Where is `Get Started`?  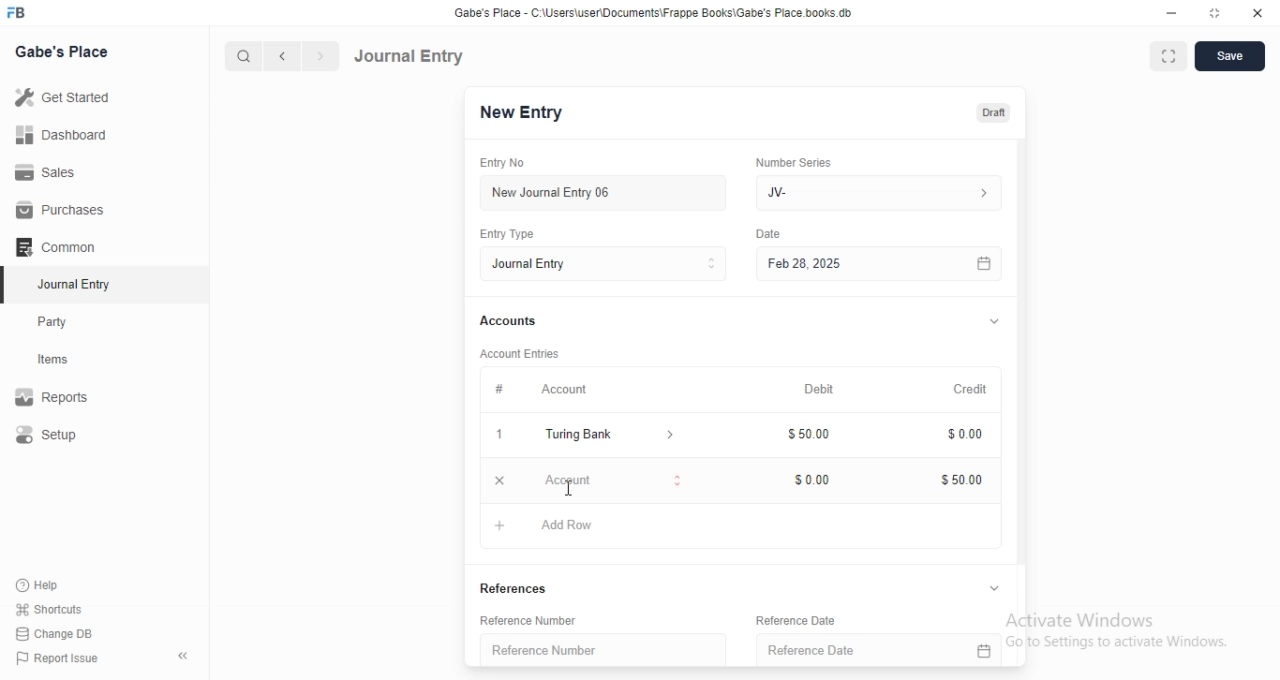 Get Started is located at coordinates (67, 97).